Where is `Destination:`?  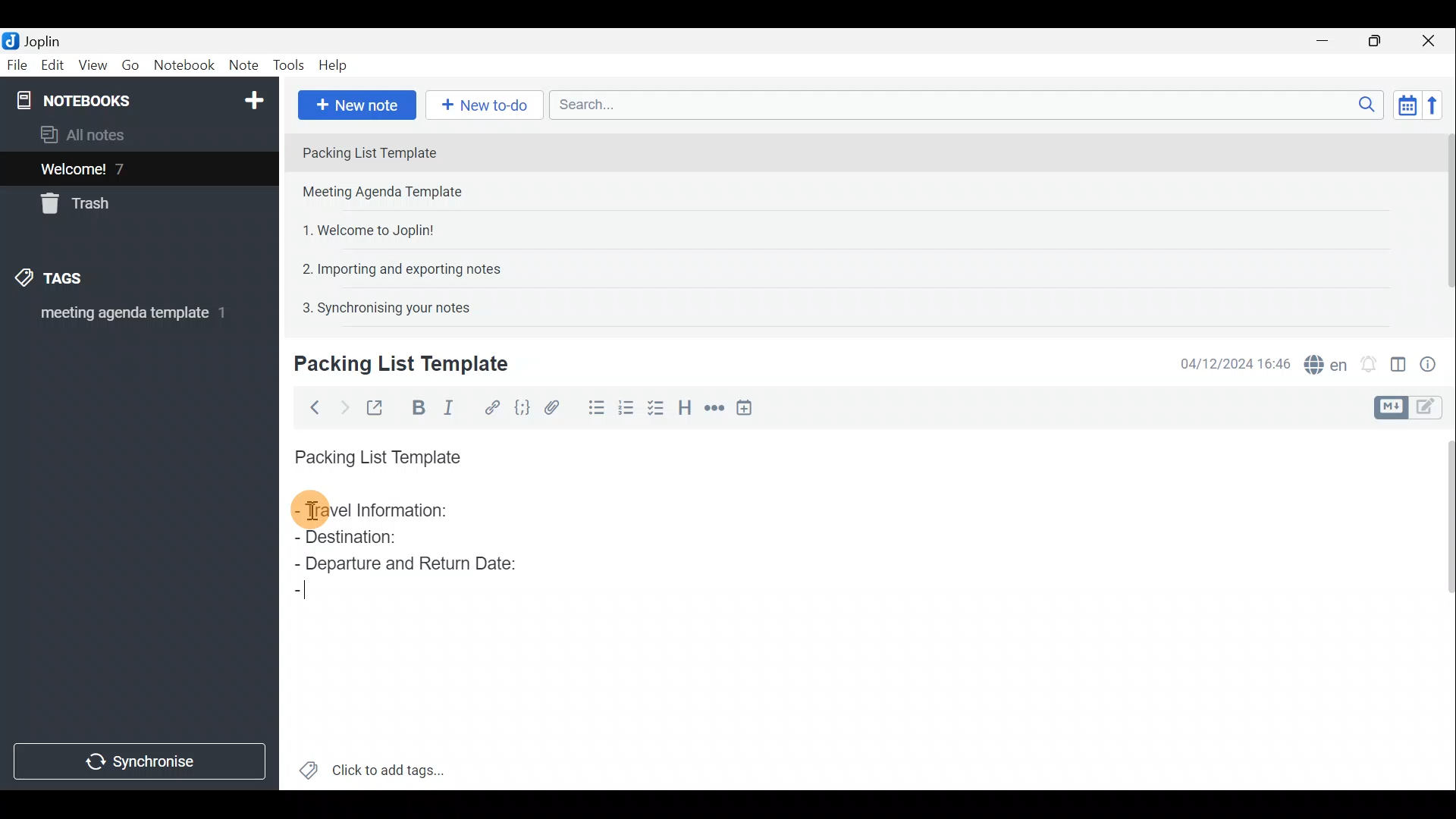
Destination: is located at coordinates (385, 538).